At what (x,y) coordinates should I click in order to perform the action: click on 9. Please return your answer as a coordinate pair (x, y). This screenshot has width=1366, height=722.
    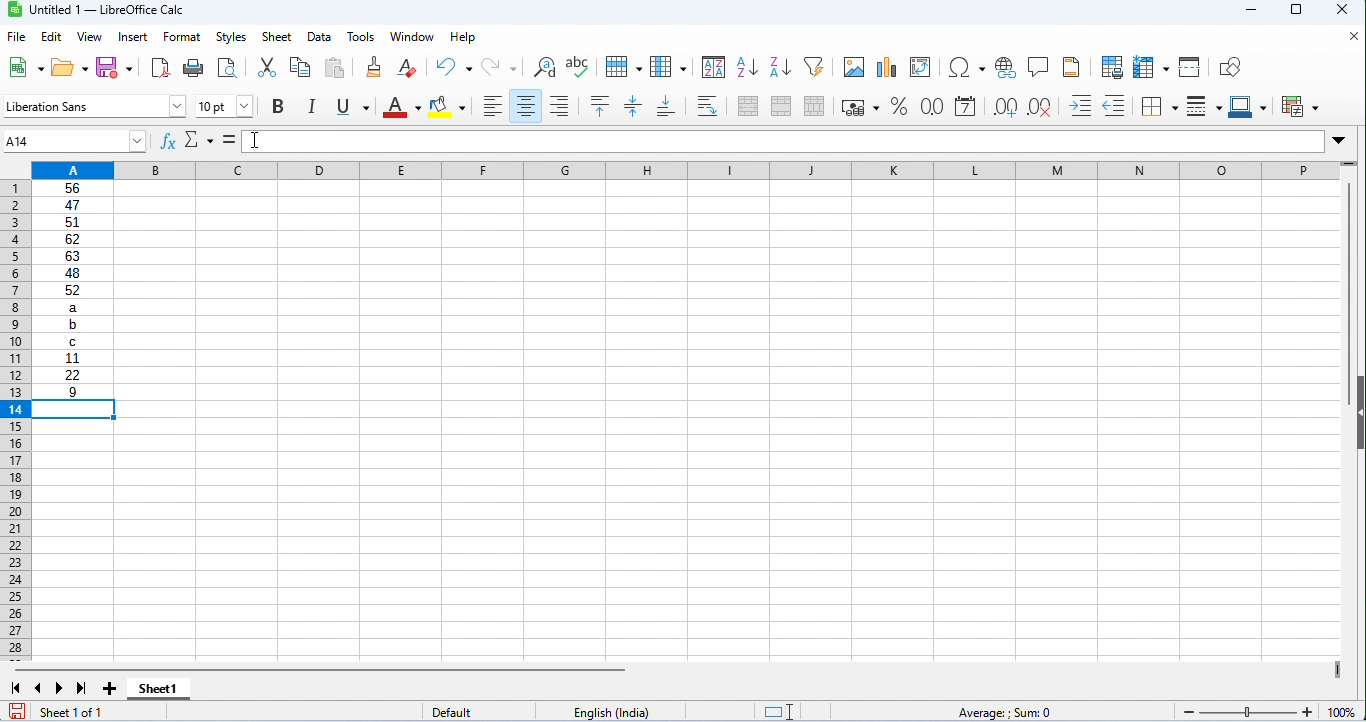
    Looking at the image, I should click on (73, 391).